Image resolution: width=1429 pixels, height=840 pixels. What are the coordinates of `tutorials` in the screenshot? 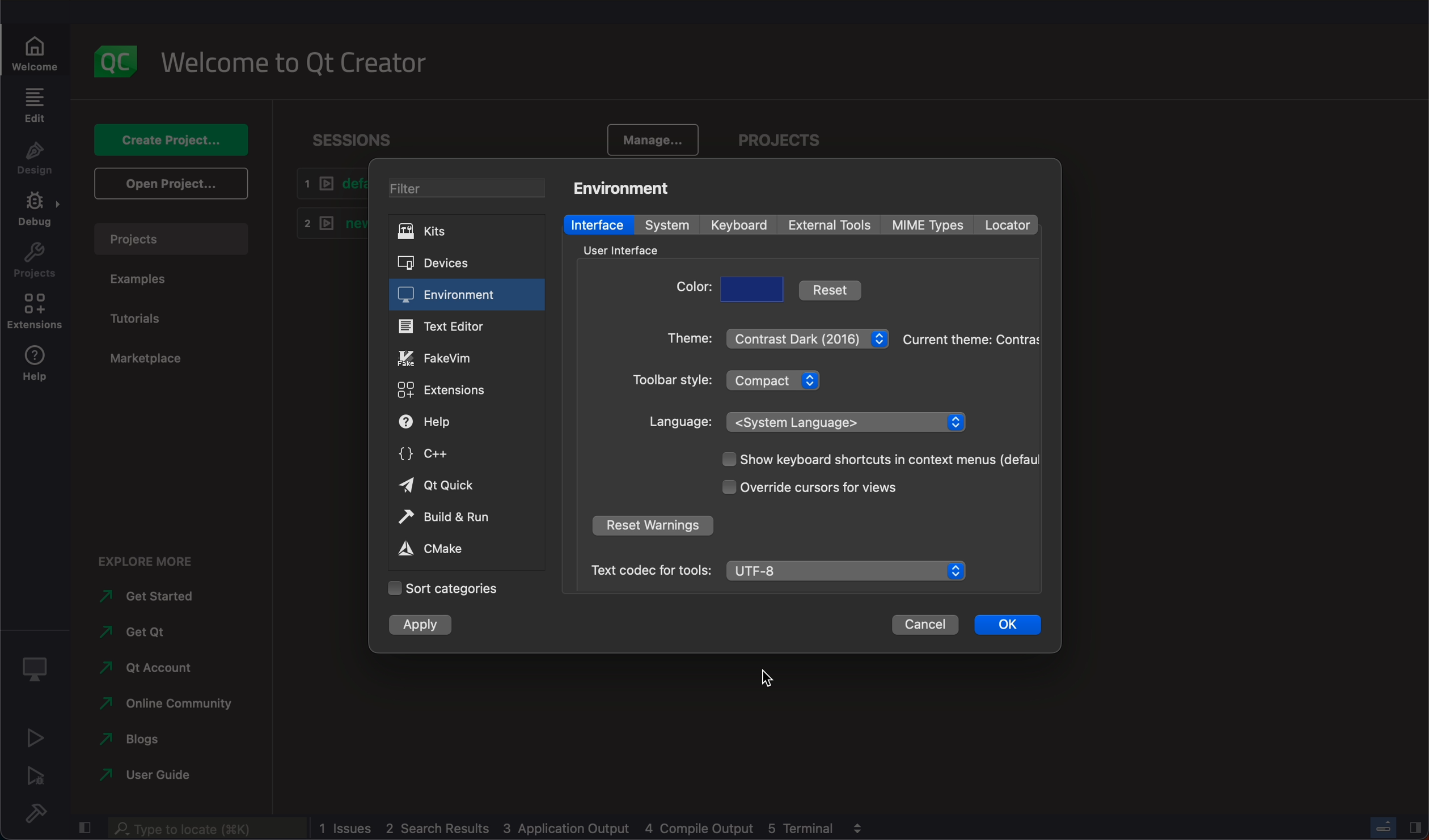 It's located at (151, 317).